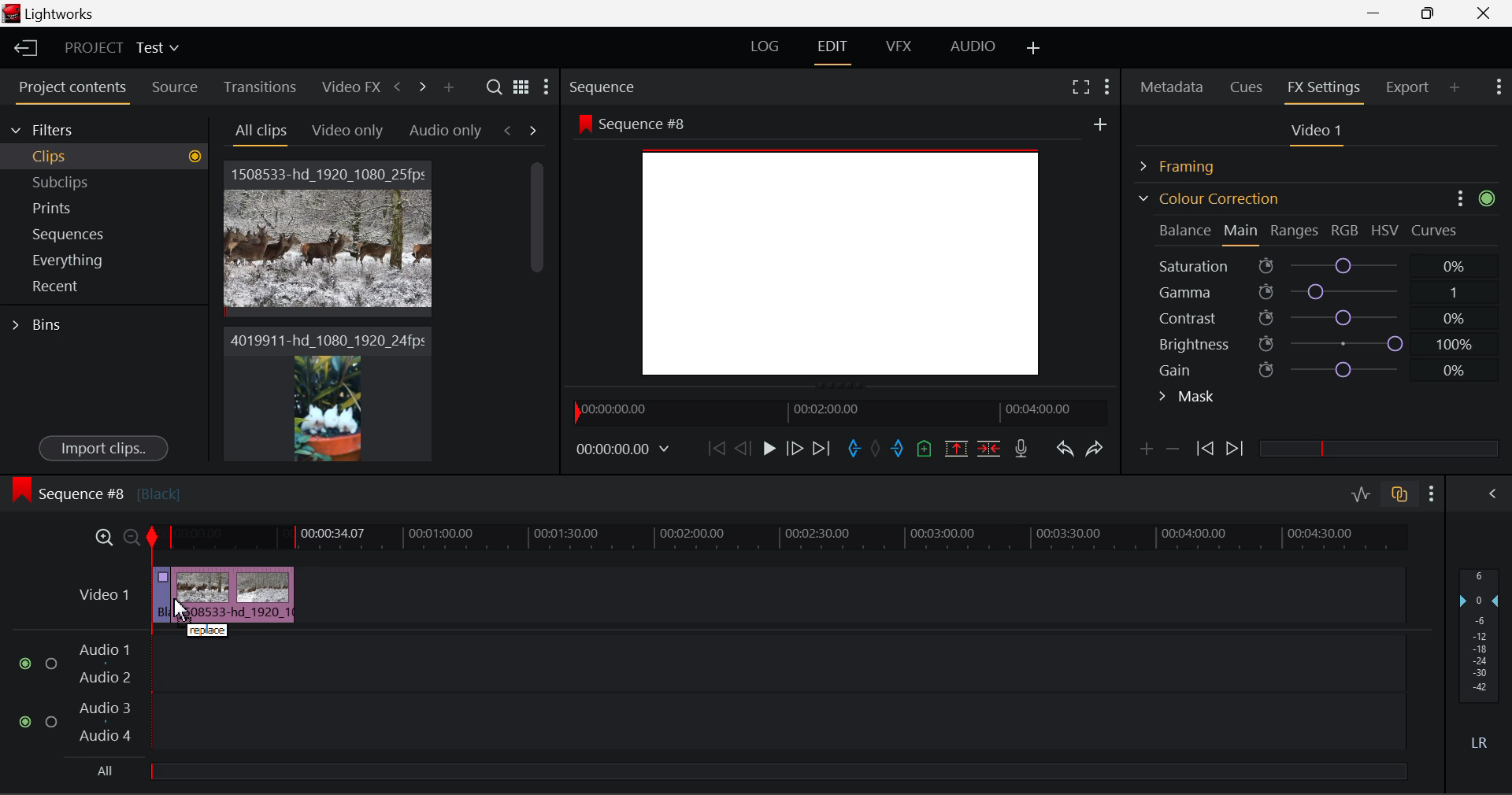 The width and height of the screenshot is (1512, 795). I want to click on Toggle audio track sync, so click(1400, 493).